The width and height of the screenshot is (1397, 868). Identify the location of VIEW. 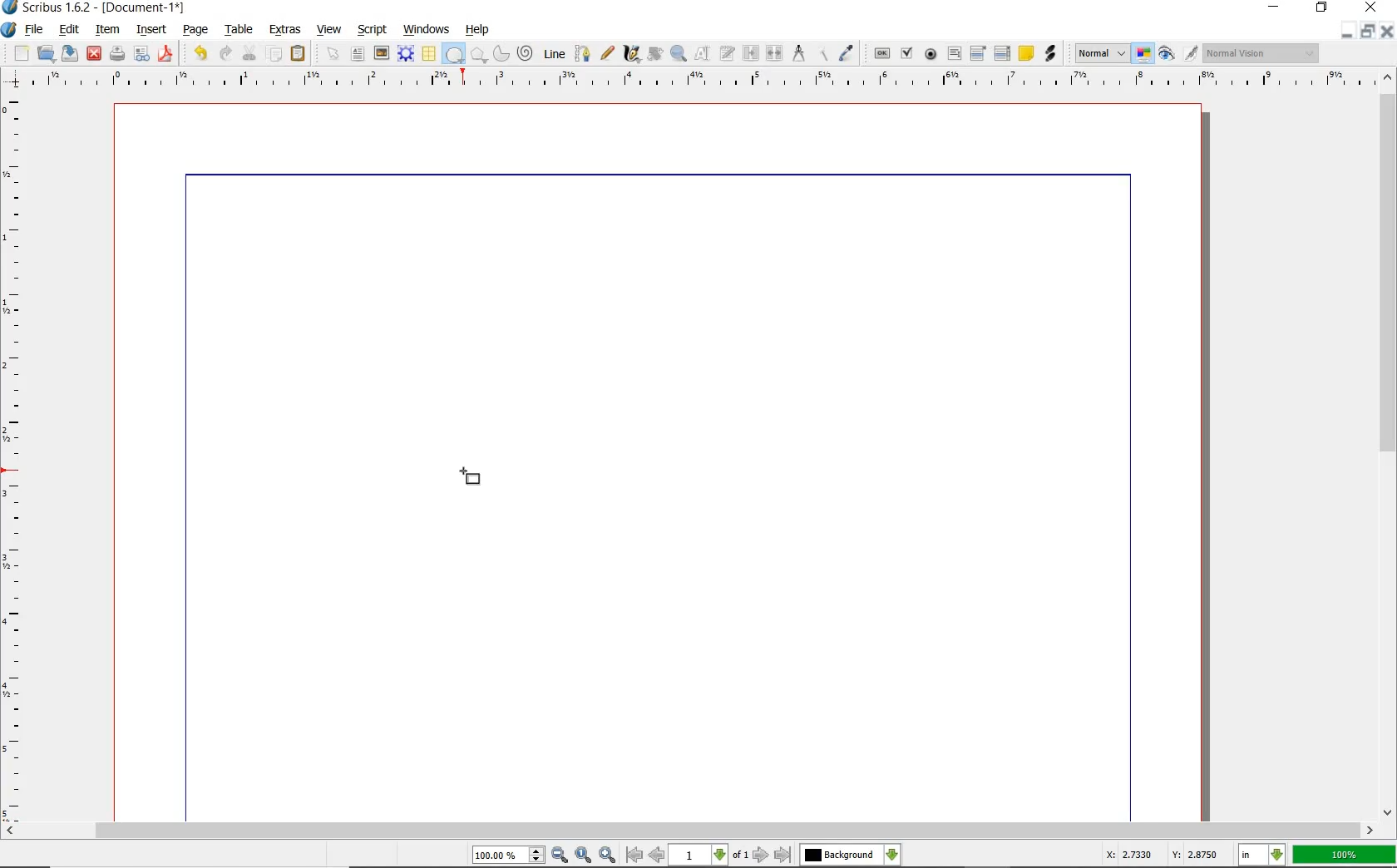
(329, 28).